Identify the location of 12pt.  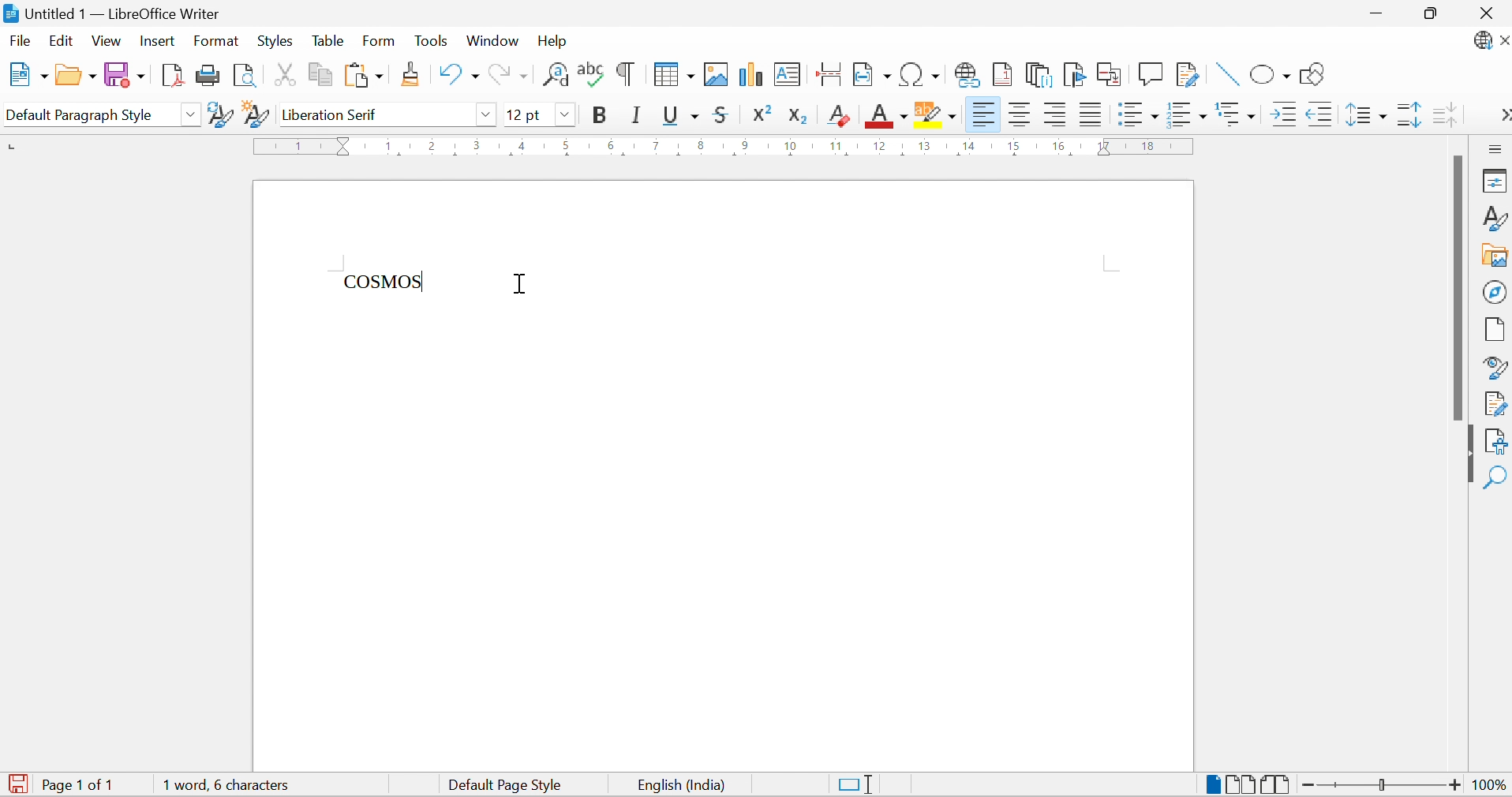
(525, 114).